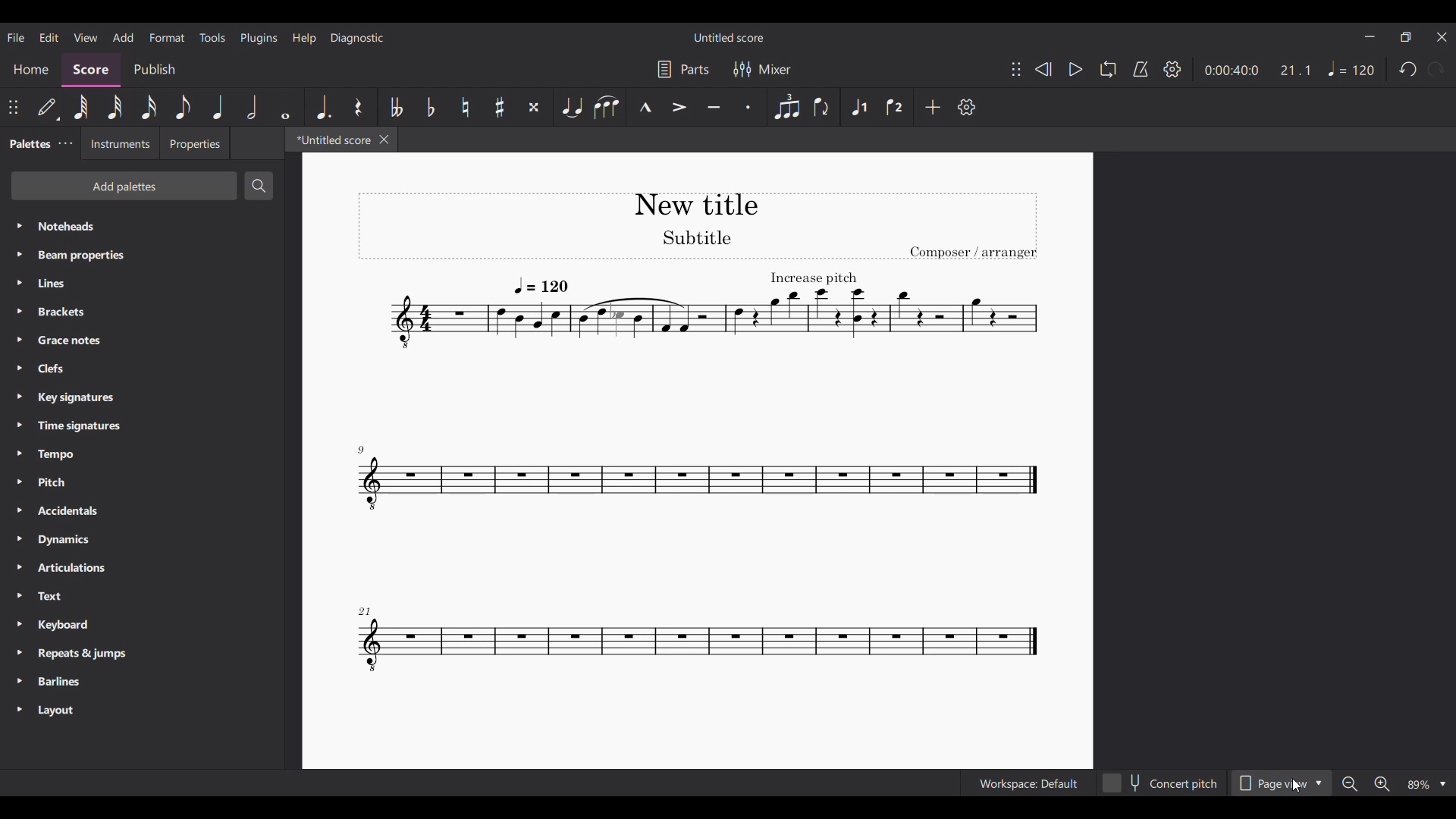 The height and width of the screenshot is (819, 1456). Describe the element at coordinates (1351, 68) in the screenshot. I see `Tempo` at that location.